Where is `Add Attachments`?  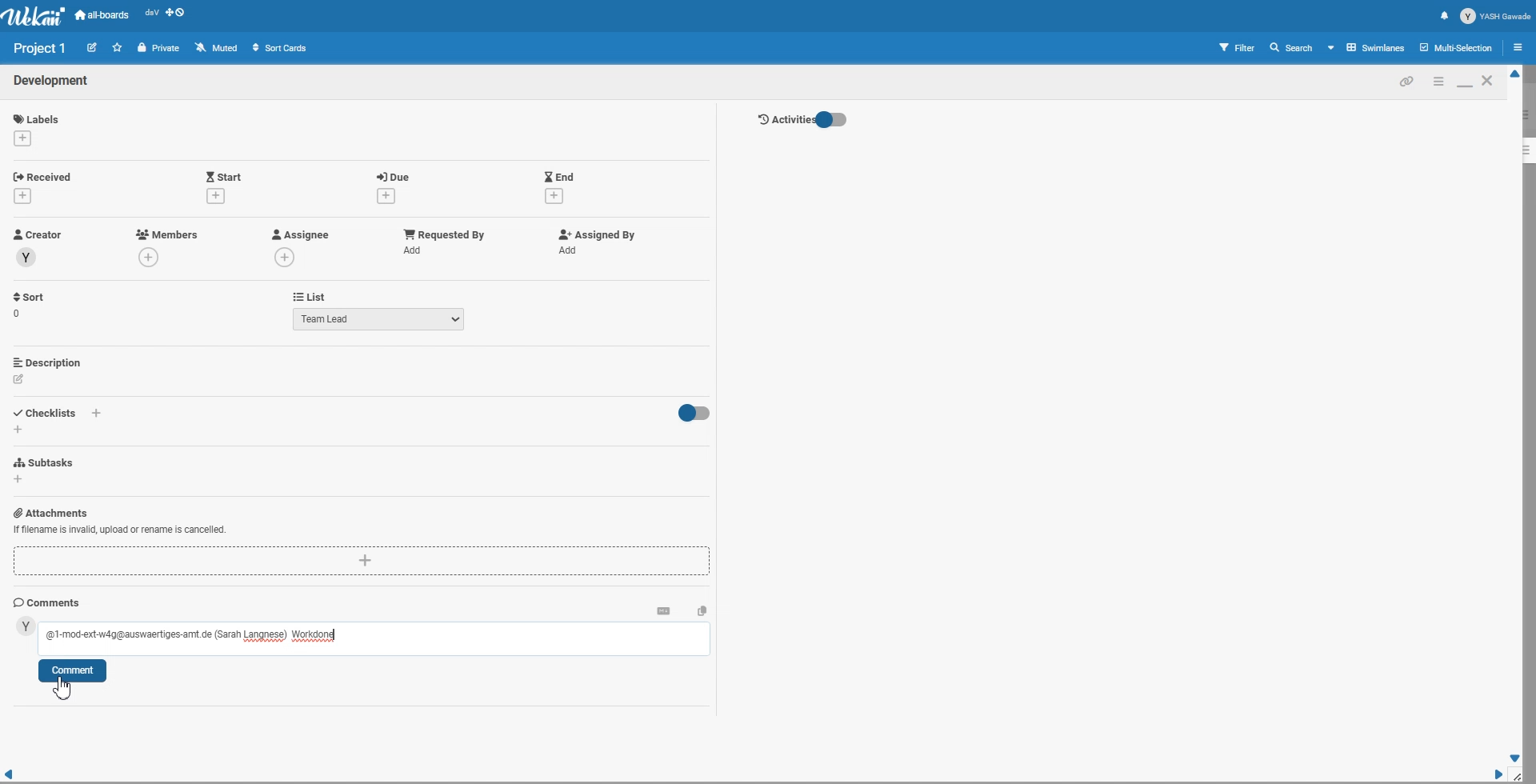
Add Attachments is located at coordinates (119, 530).